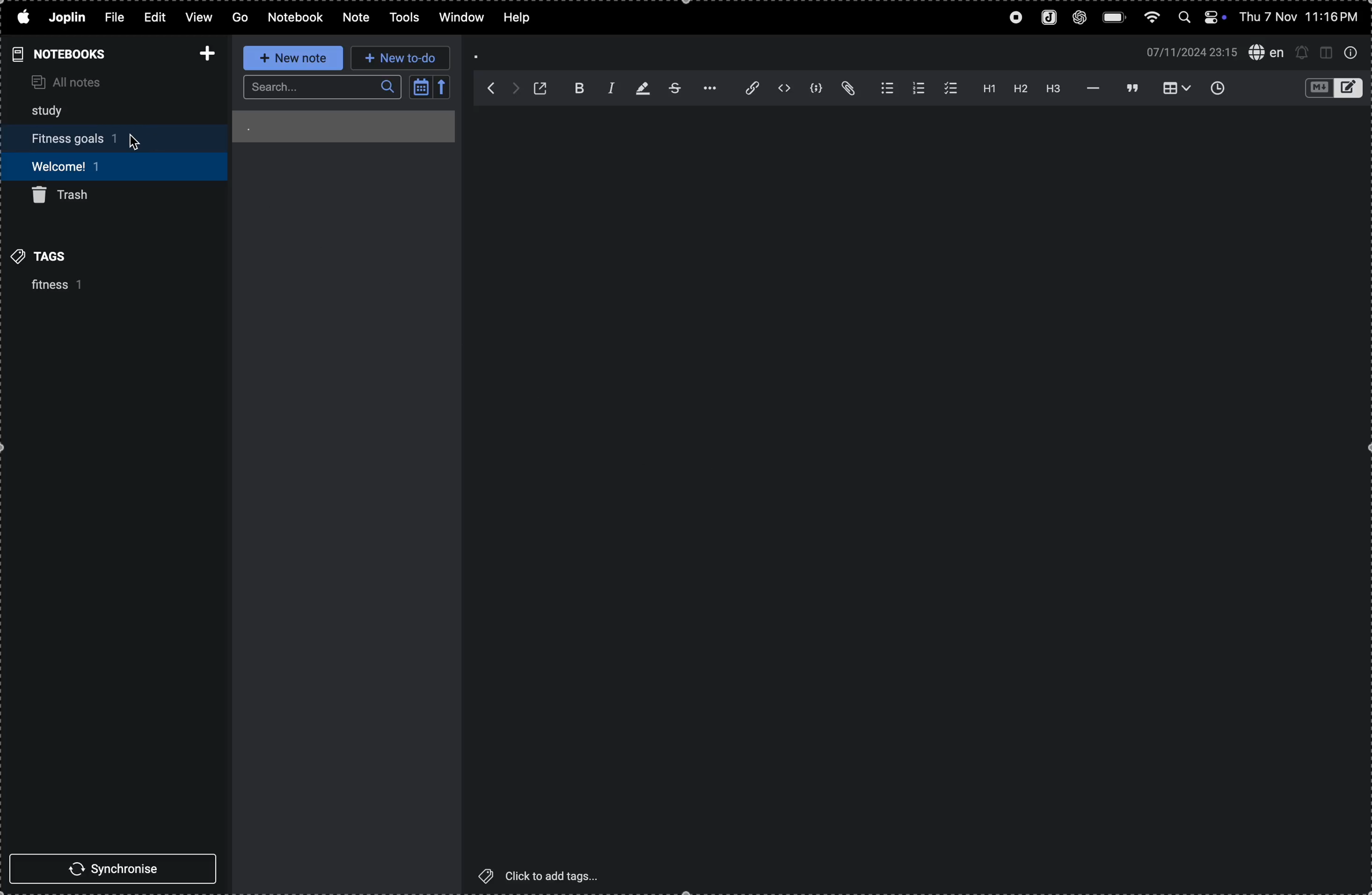  What do you see at coordinates (1205, 17) in the screenshot?
I see `apple widgets` at bounding box center [1205, 17].